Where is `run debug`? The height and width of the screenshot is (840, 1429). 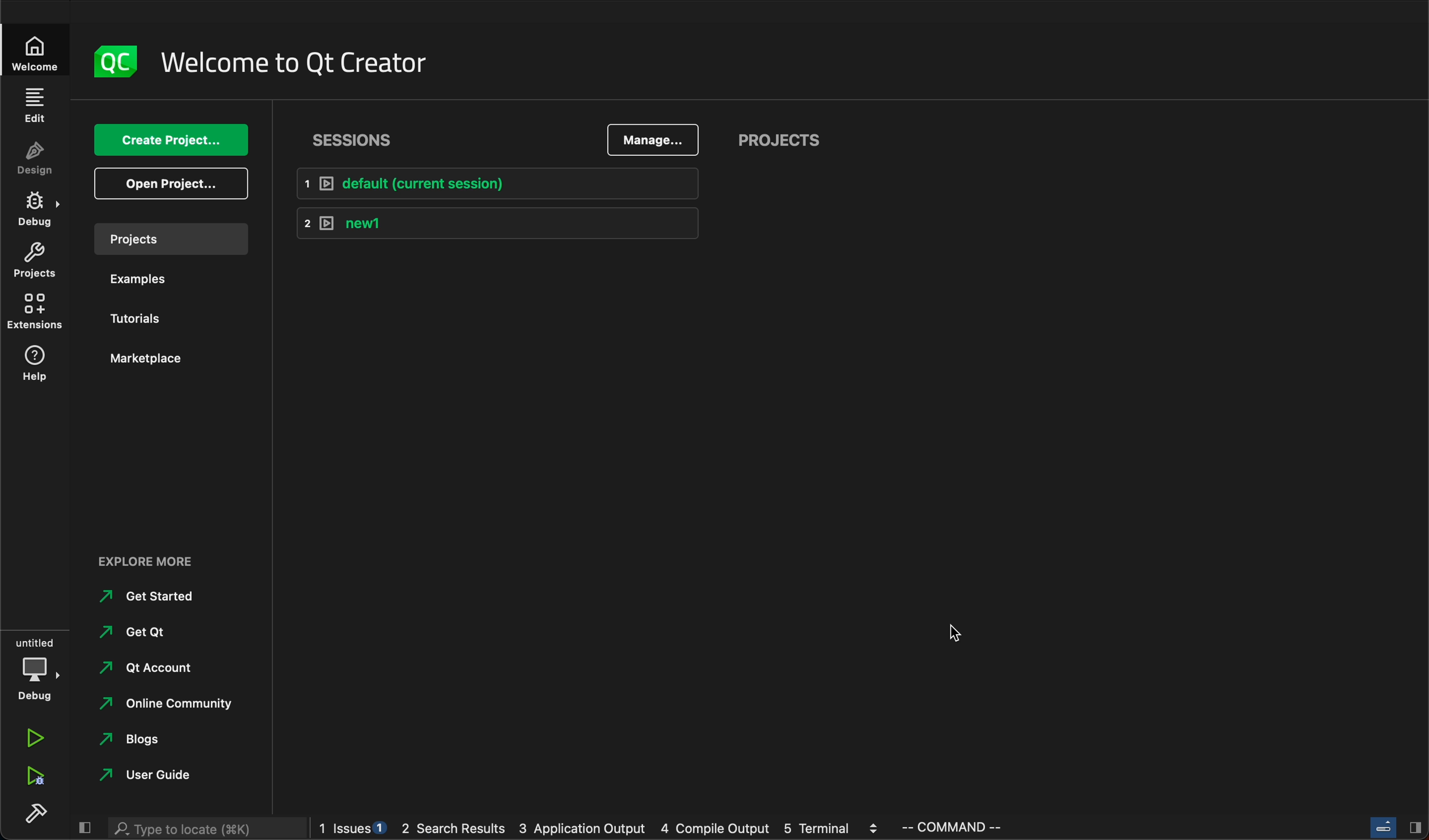
run debug is located at coordinates (34, 776).